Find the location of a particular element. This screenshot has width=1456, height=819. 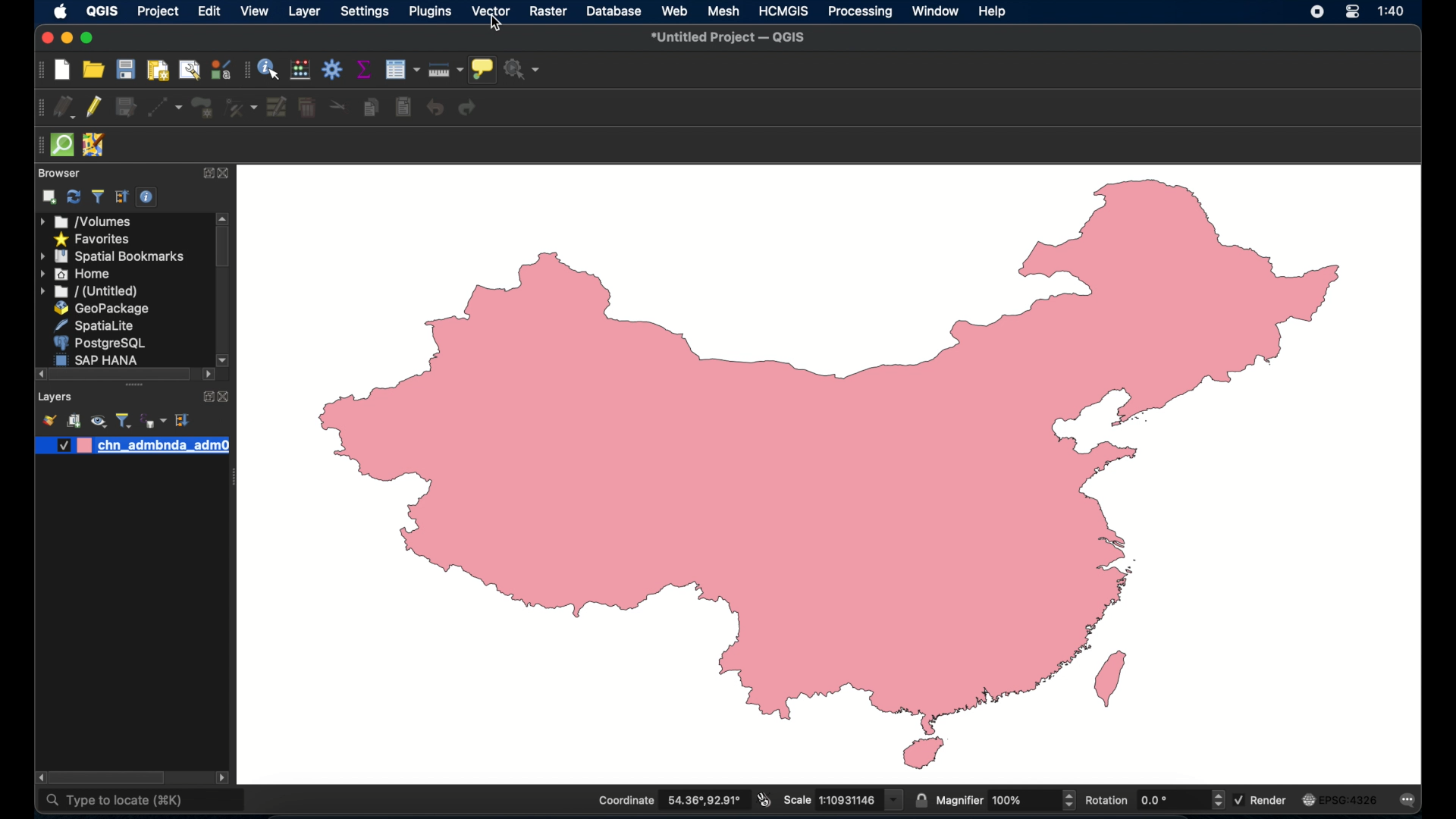

add polygon is located at coordinates (202, 108).